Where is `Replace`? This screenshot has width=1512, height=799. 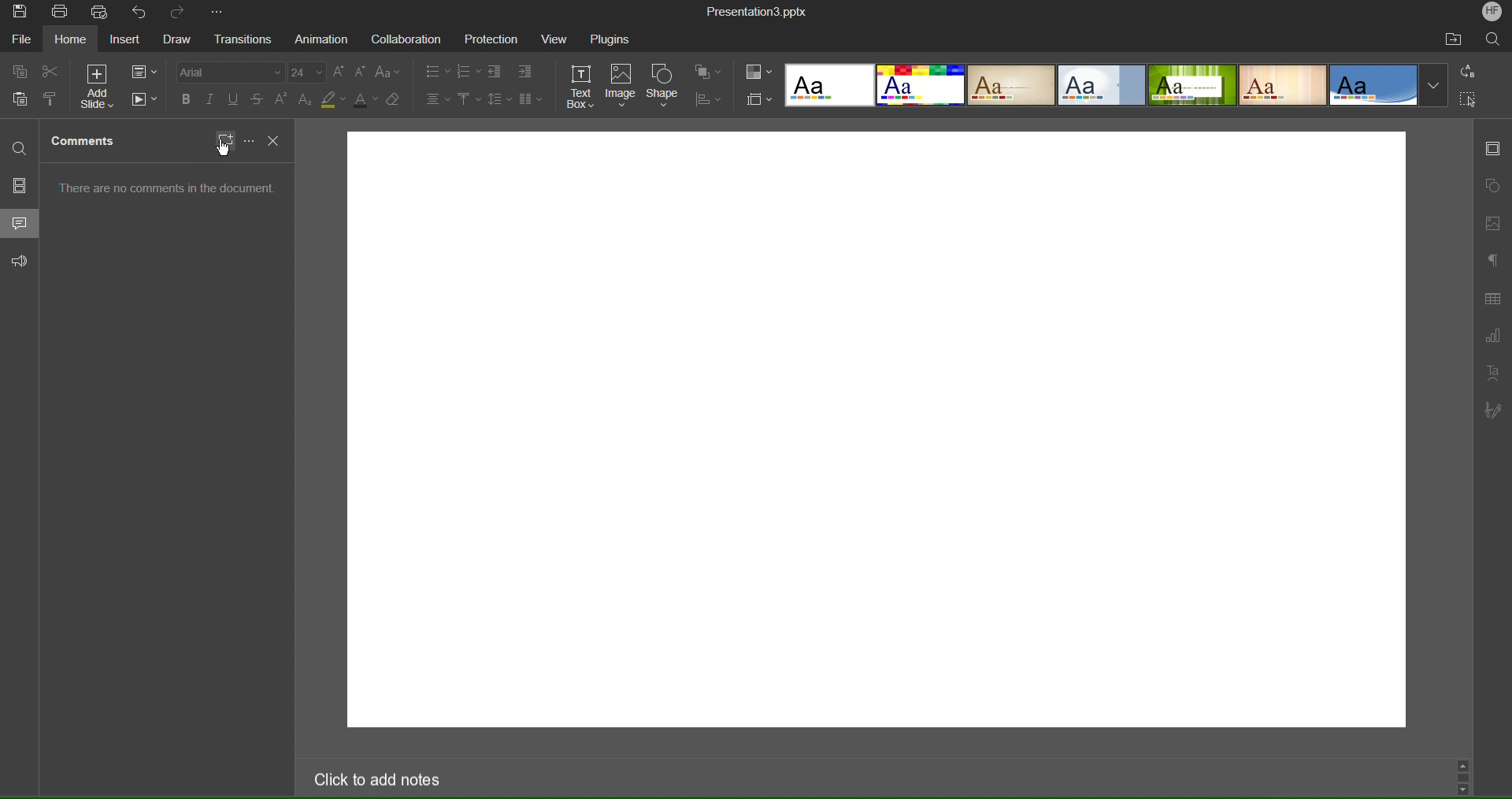 Replace is located at coordinates (1469, 72).